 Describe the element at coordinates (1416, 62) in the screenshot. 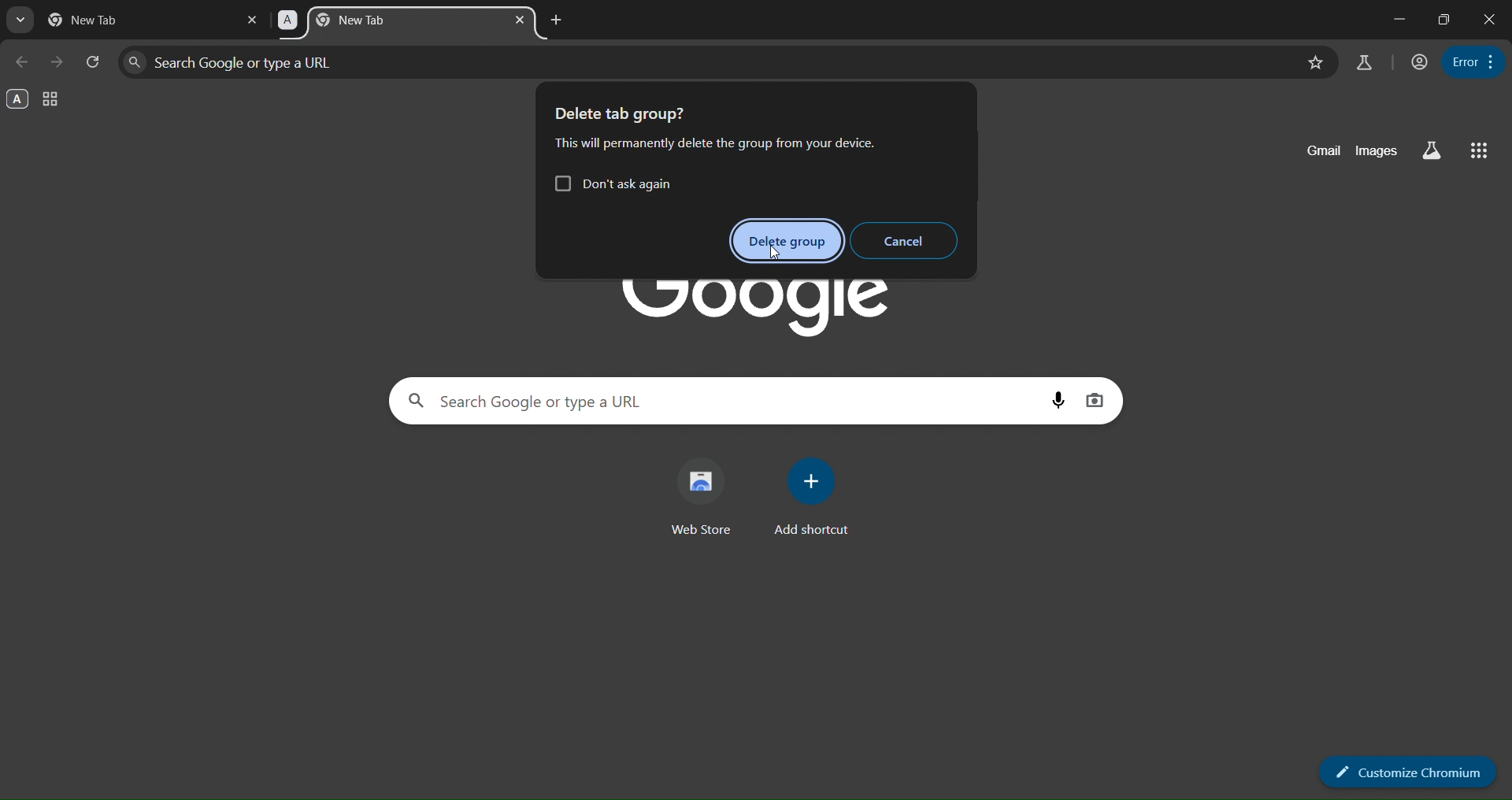

I see `account` at that location.